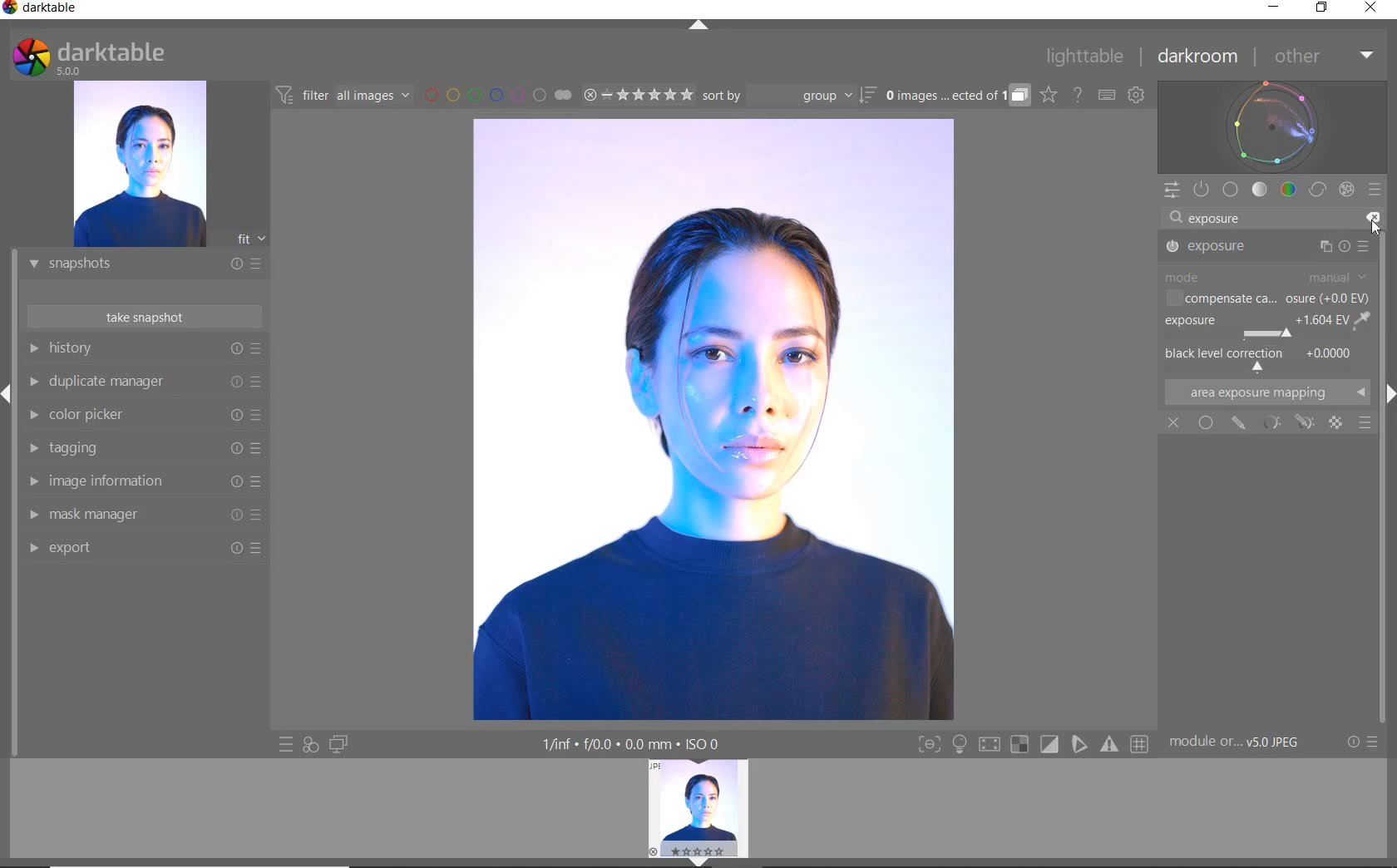  I want to click on QUICK ACCESS FOR APPLYING ANY OF YOUR STYLES, so click(309, 744).